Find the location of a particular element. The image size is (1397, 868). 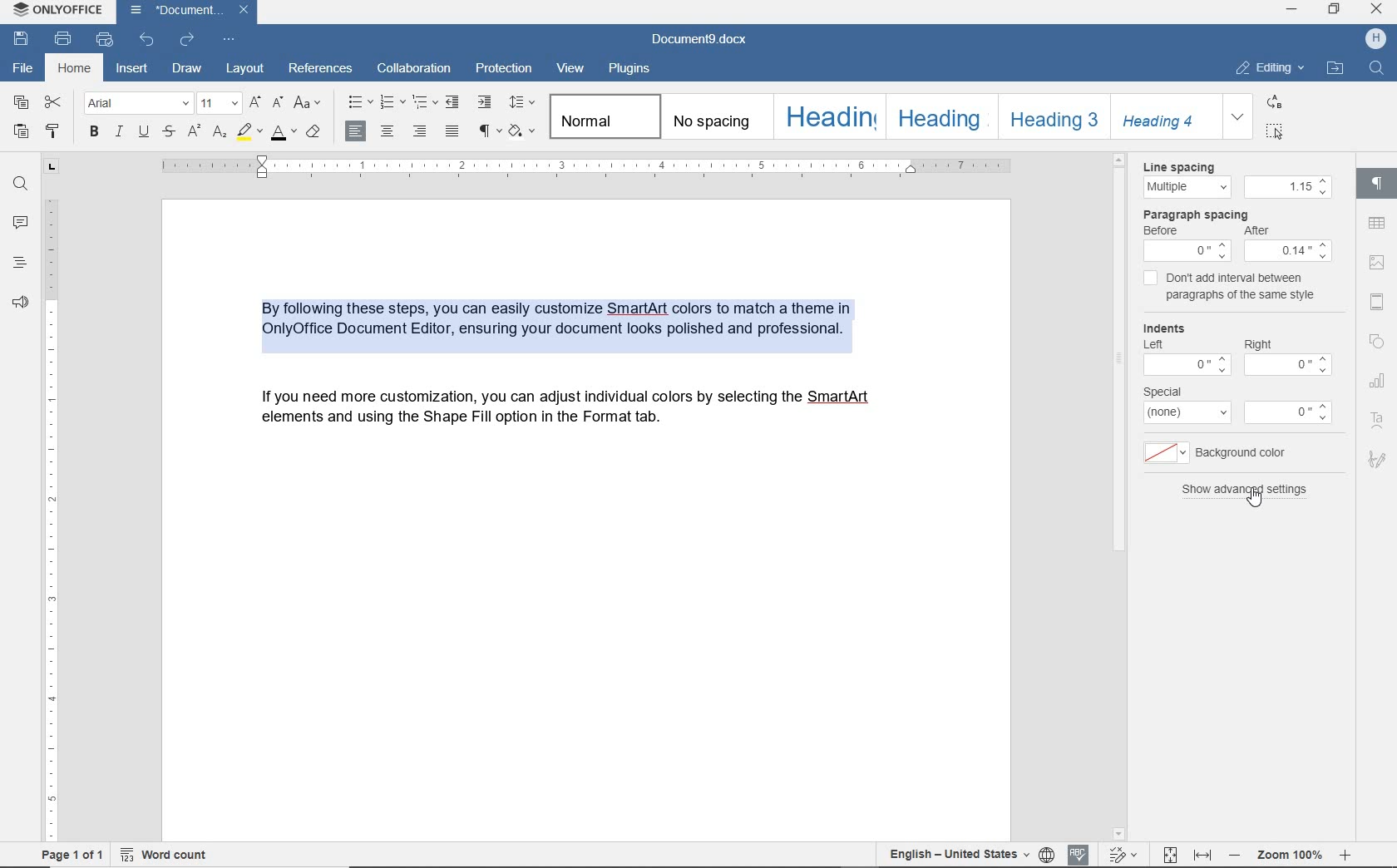

draw is located at coordinates (187, 69).